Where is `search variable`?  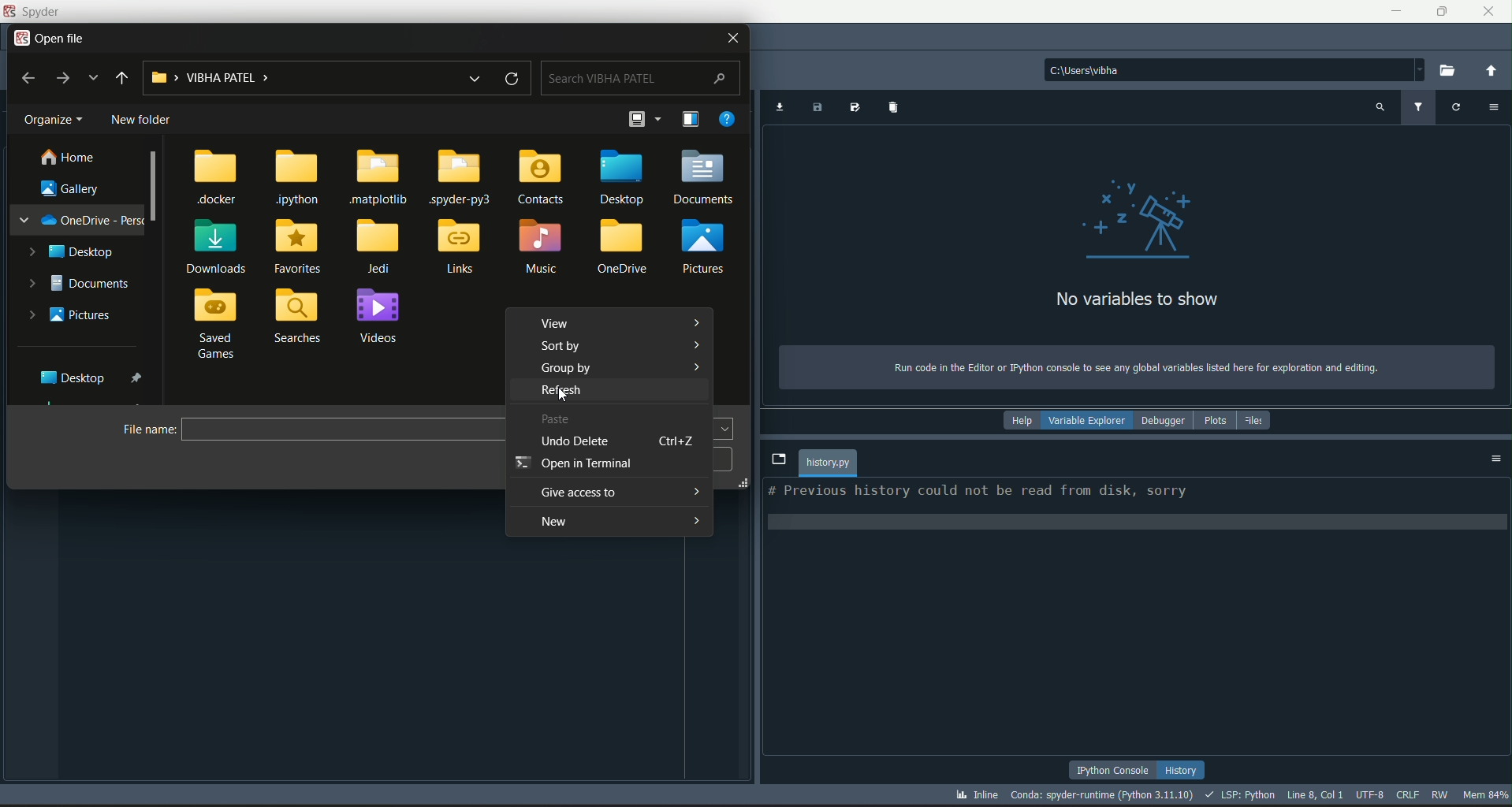
search variable is located at coordinates (1378, 108).